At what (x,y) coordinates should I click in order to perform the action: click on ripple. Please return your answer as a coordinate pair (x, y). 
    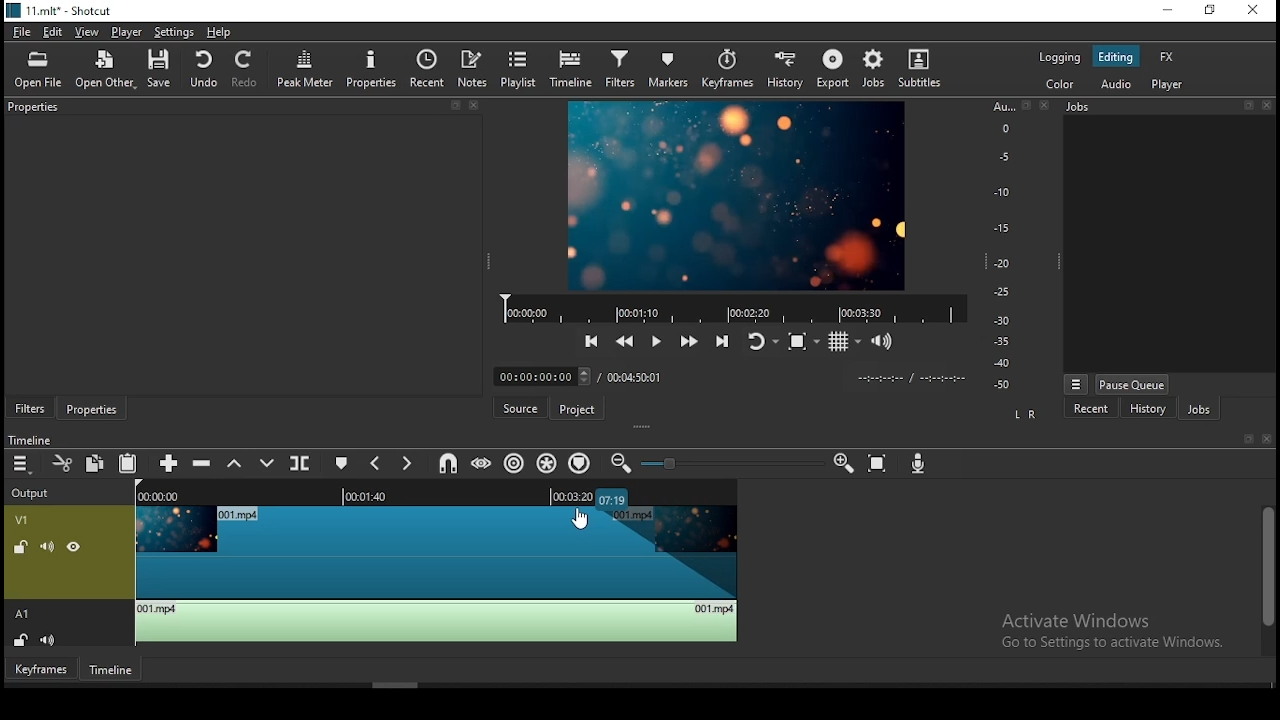
    Looking at the image, I should click on (517, 464).